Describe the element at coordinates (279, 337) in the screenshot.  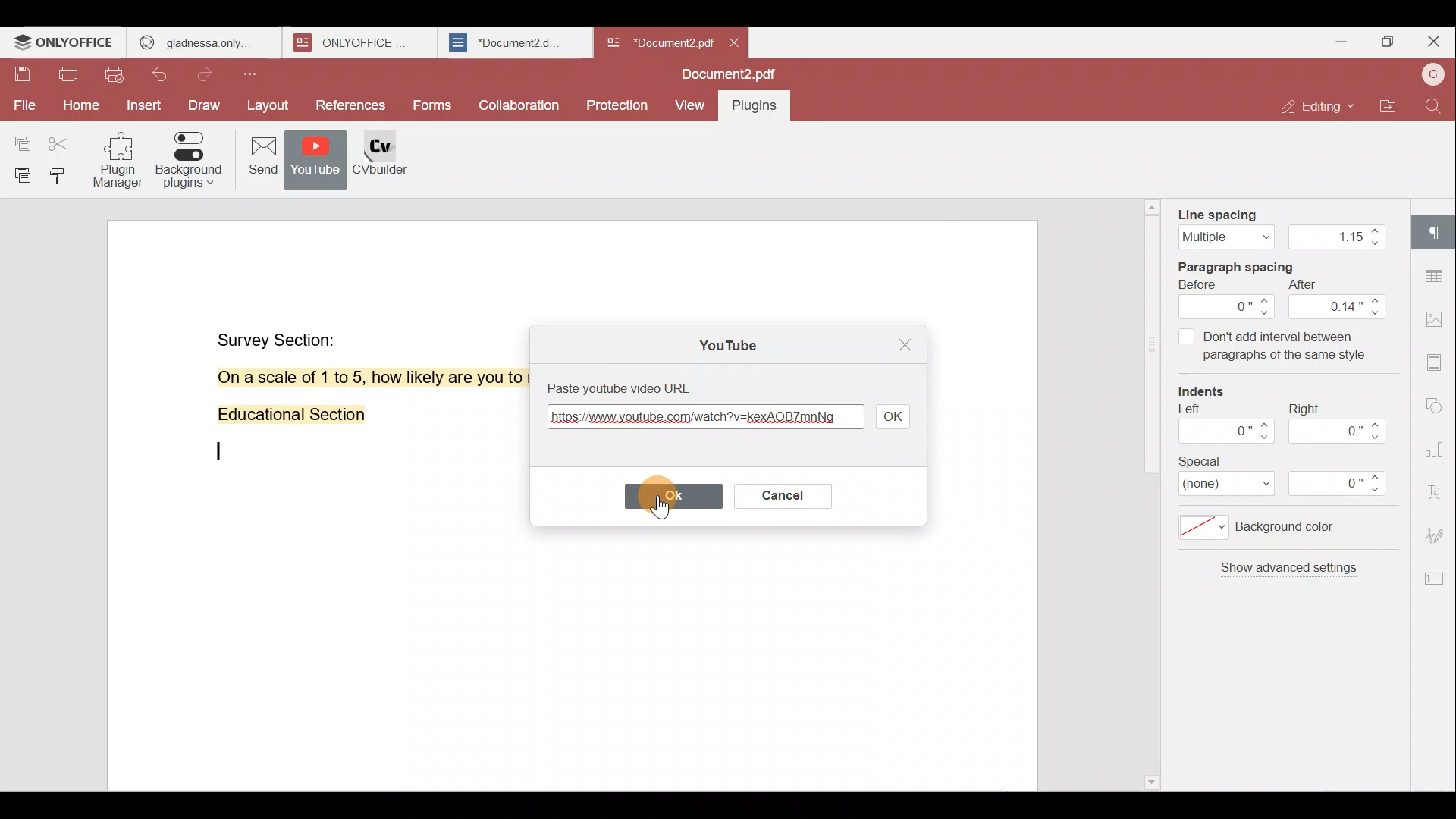
I see `Survey Section:` at that location.